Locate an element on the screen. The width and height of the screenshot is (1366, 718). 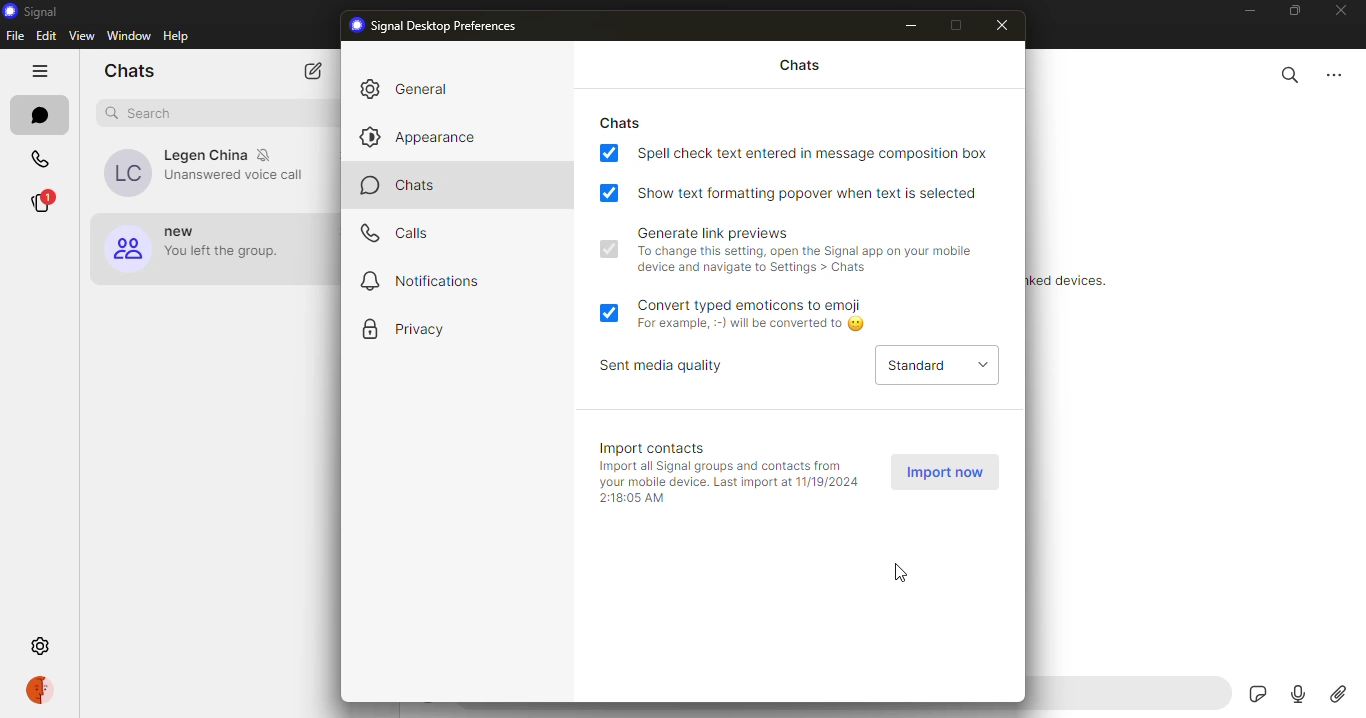
record is located at coordinates (1302, 695).